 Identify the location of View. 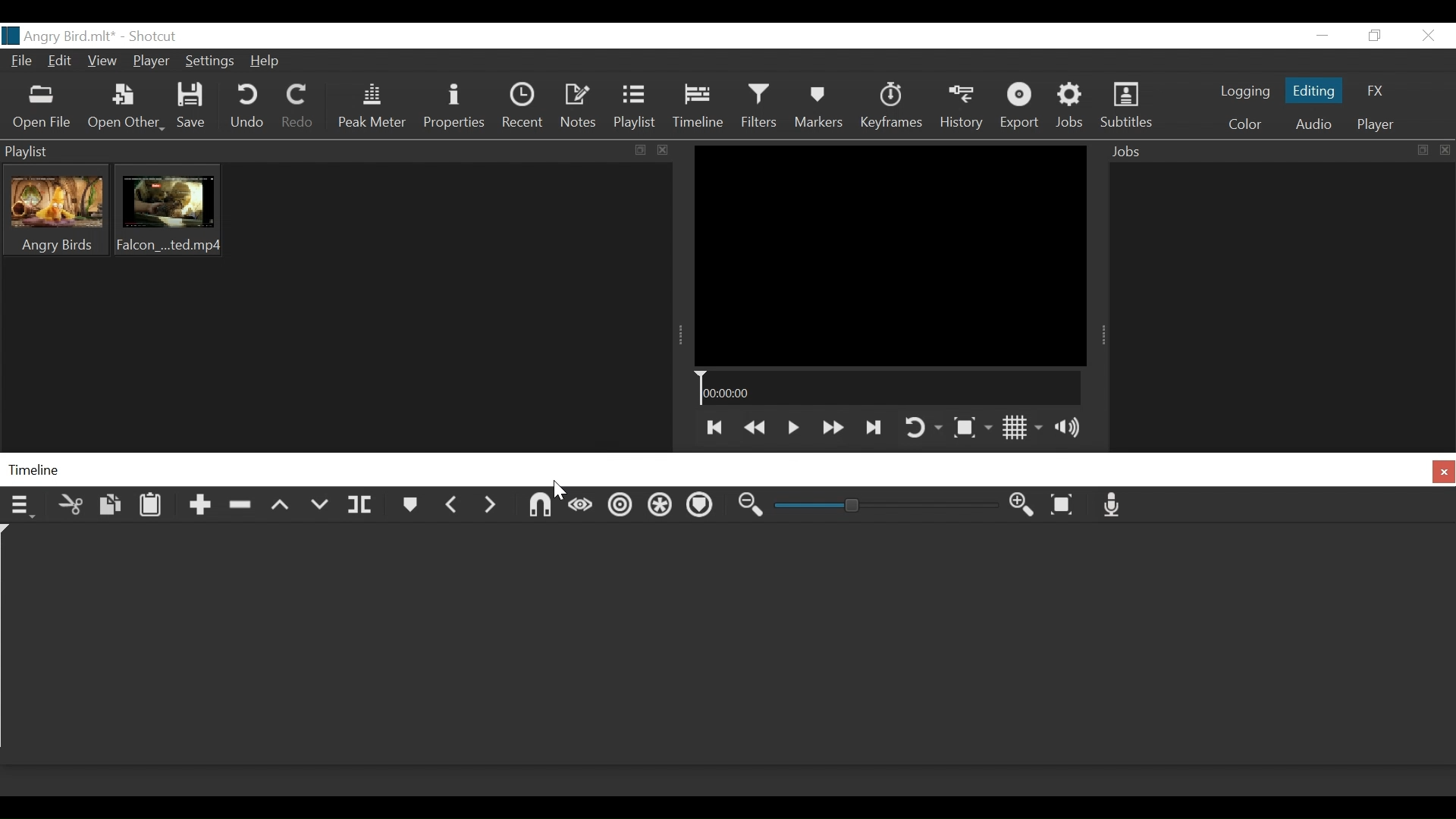
(104, 61).